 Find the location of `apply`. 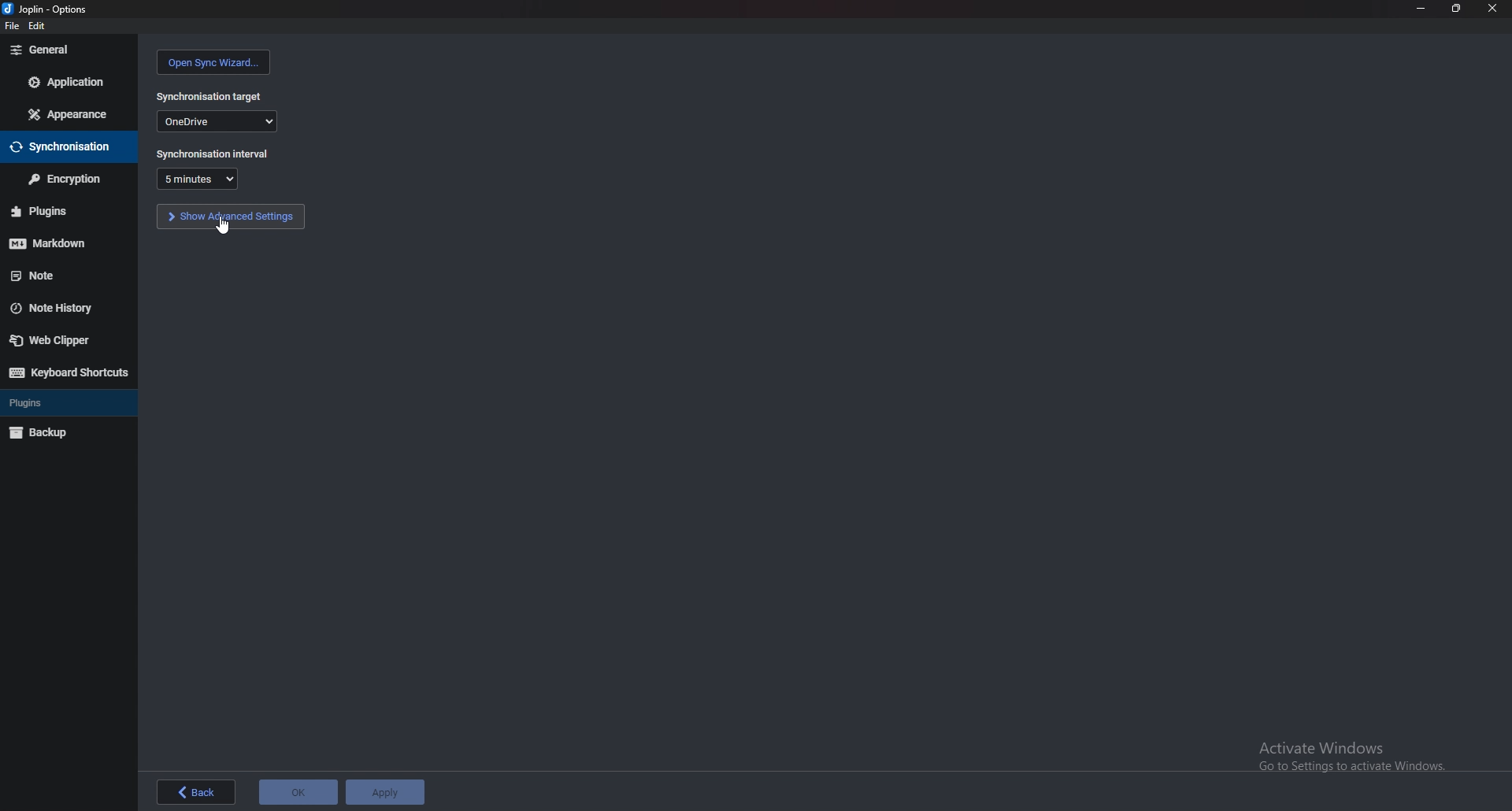

apply is located at coordinates (381, 792).